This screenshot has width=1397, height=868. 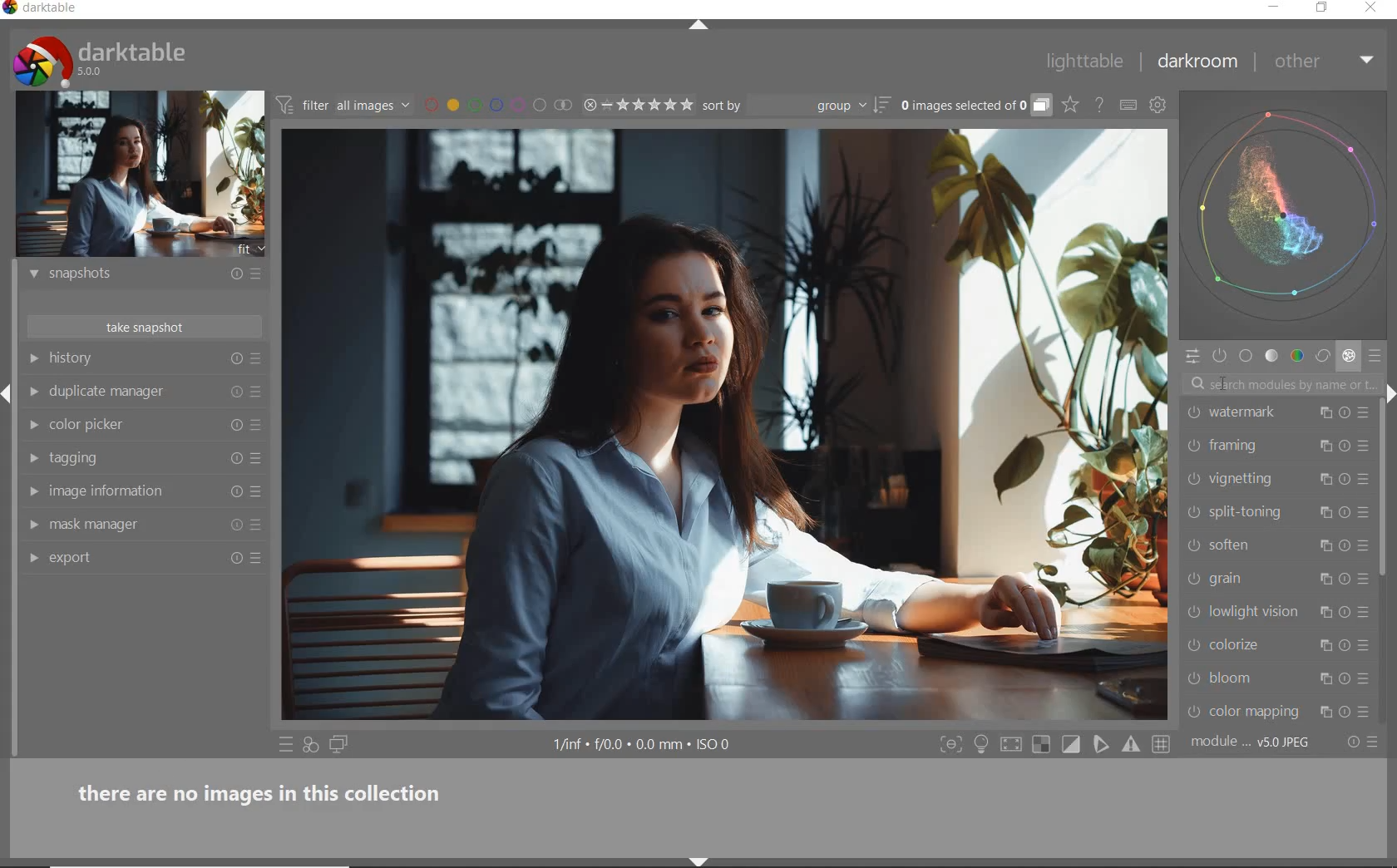 What do you see at coordinates (148, 328) in the screenshot?
I see `take snapshot` at bounding box center [148, 328].